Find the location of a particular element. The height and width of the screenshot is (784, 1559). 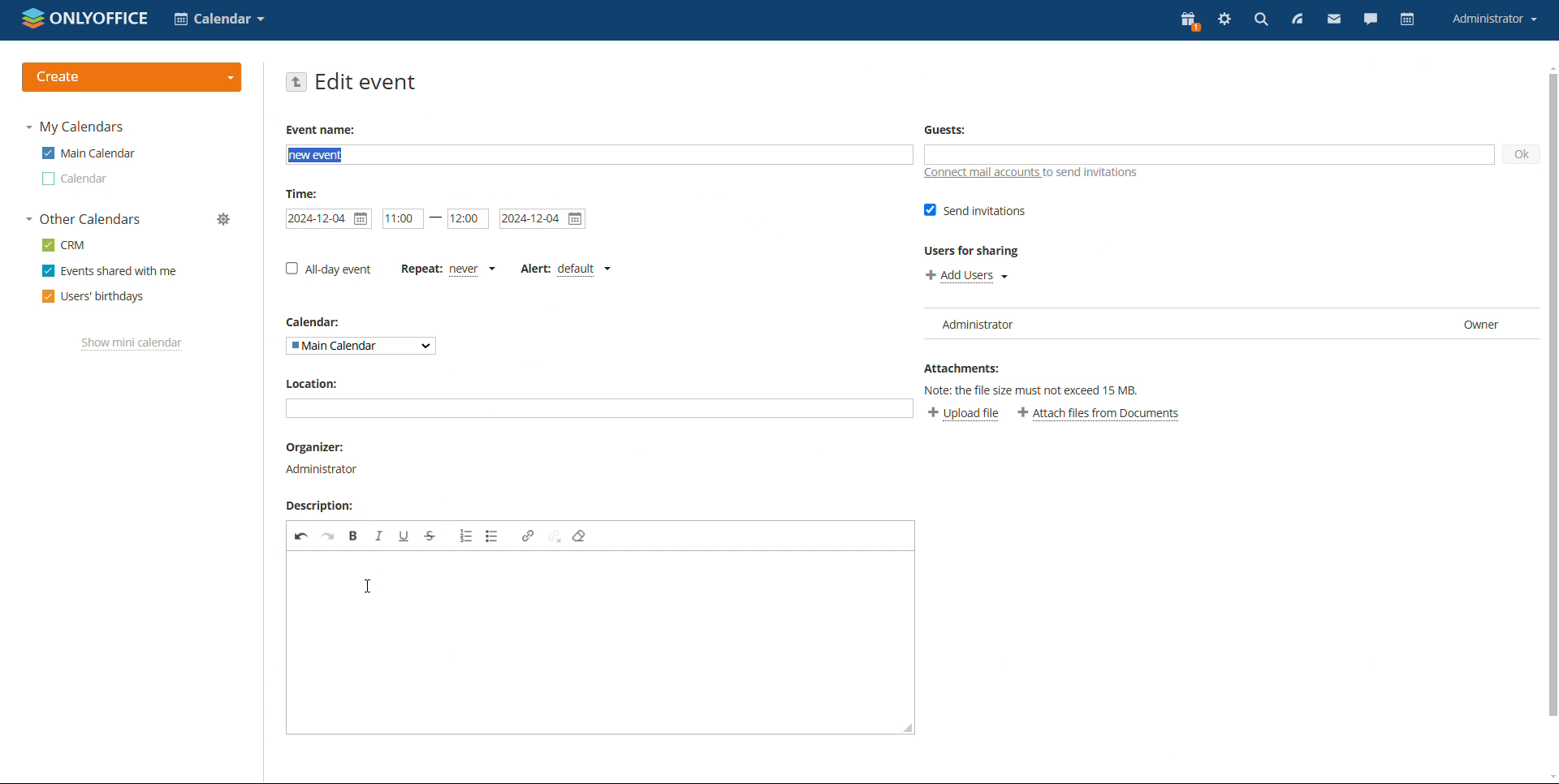

events shared with me is located at coordinates (110, 271).